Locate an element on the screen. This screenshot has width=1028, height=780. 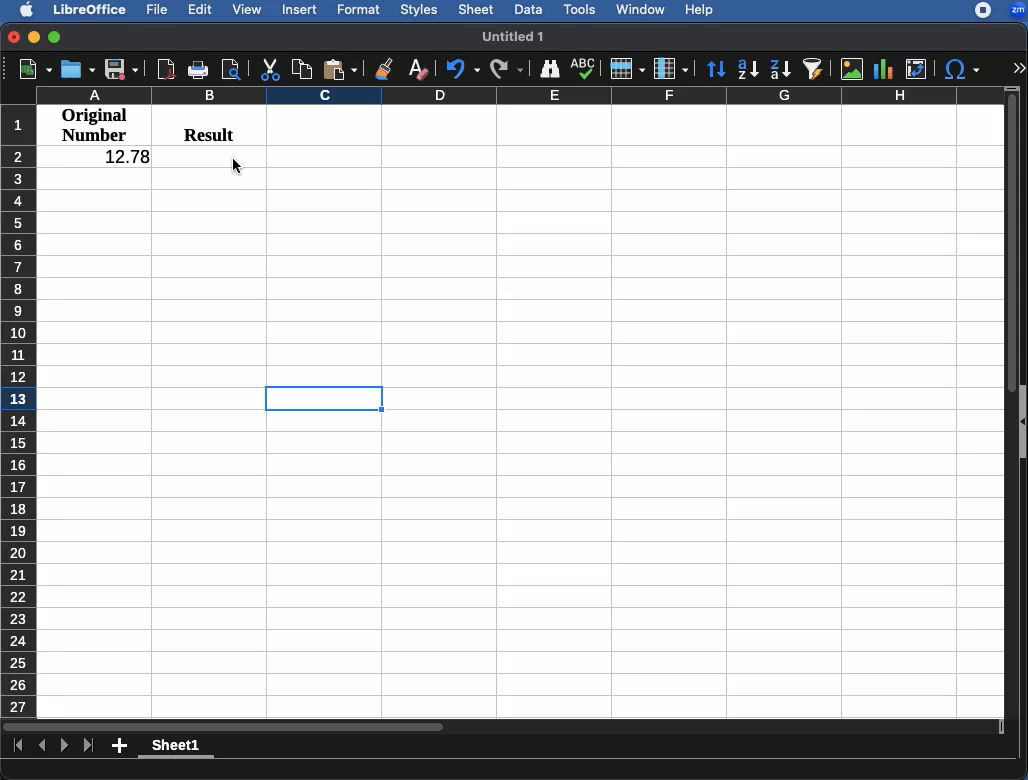
Descending  is located at coordinates (779, 69).